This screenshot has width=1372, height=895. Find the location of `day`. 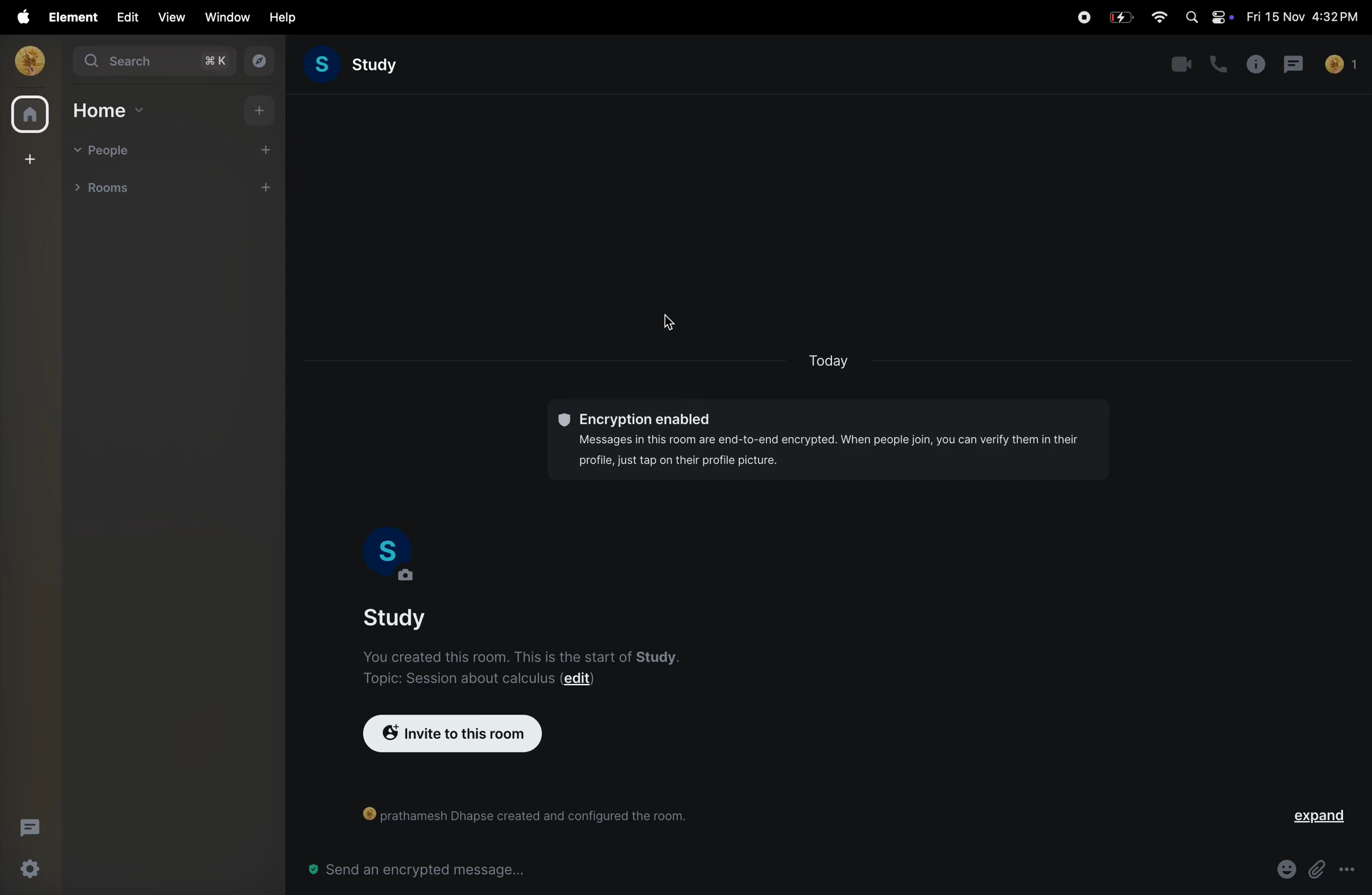

day is located at coordinates (831, 359).